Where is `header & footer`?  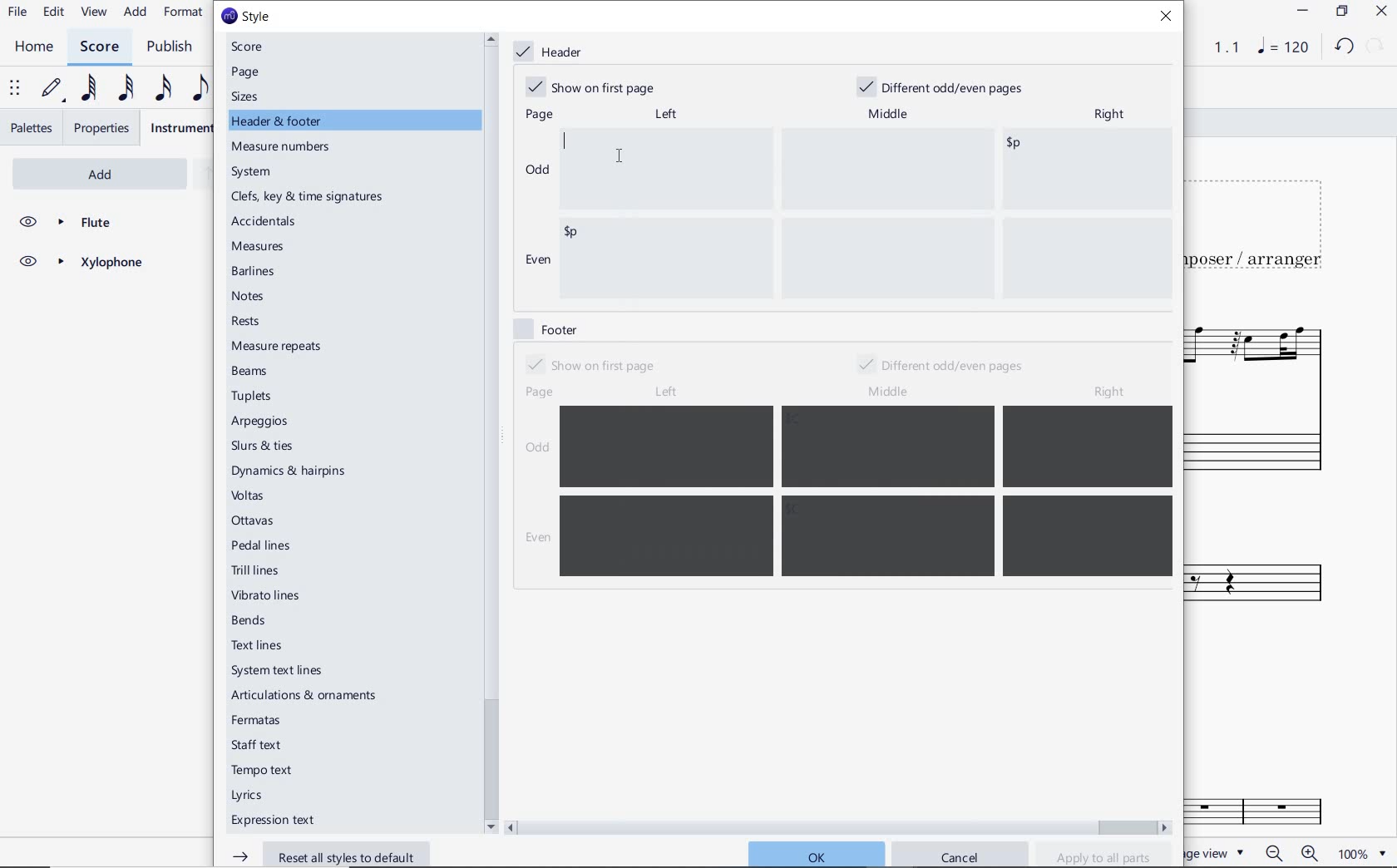
header & footer is located at coordinates (279, 121).